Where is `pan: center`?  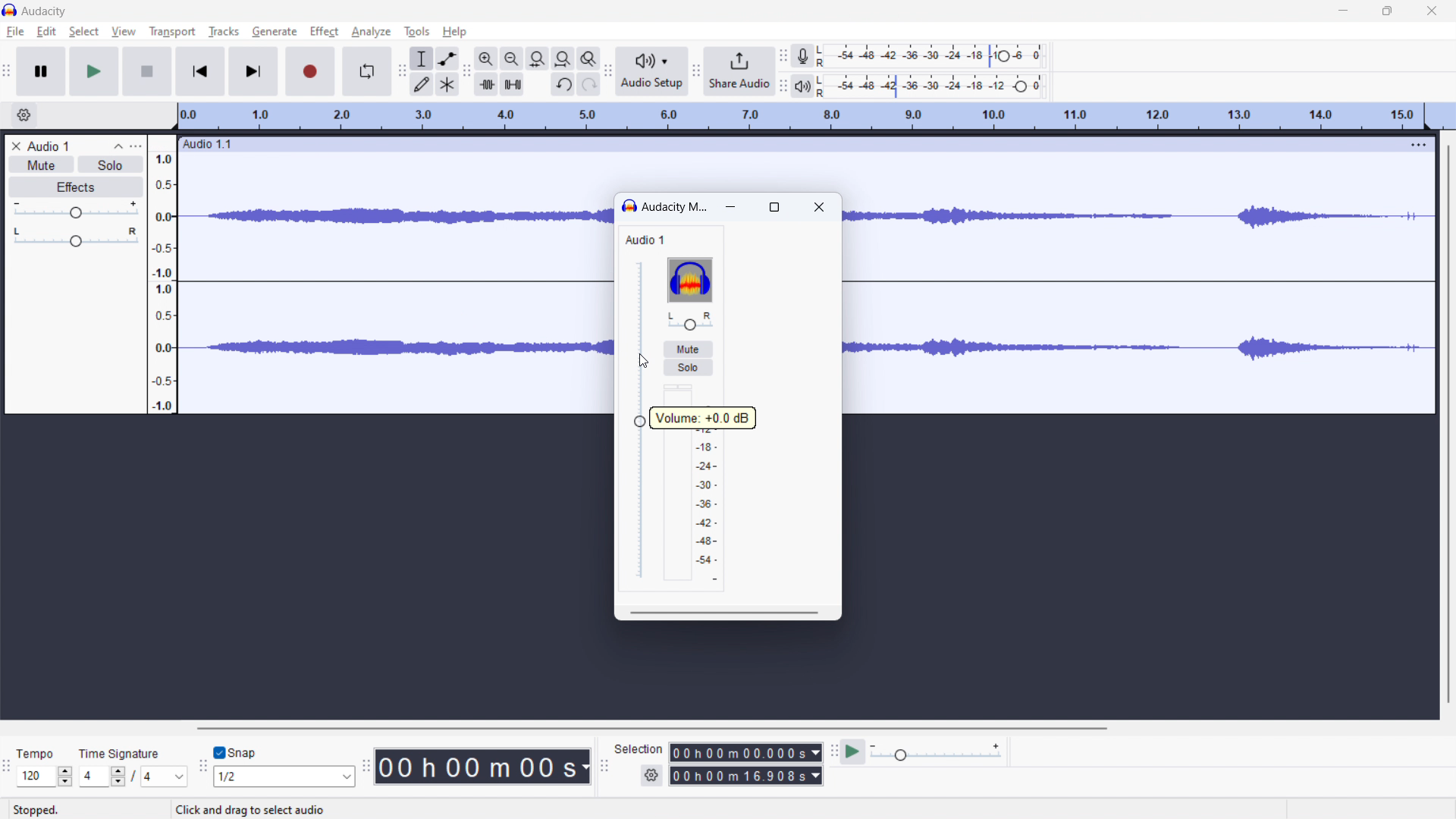 pan: center is located at coordinates (77, 237).